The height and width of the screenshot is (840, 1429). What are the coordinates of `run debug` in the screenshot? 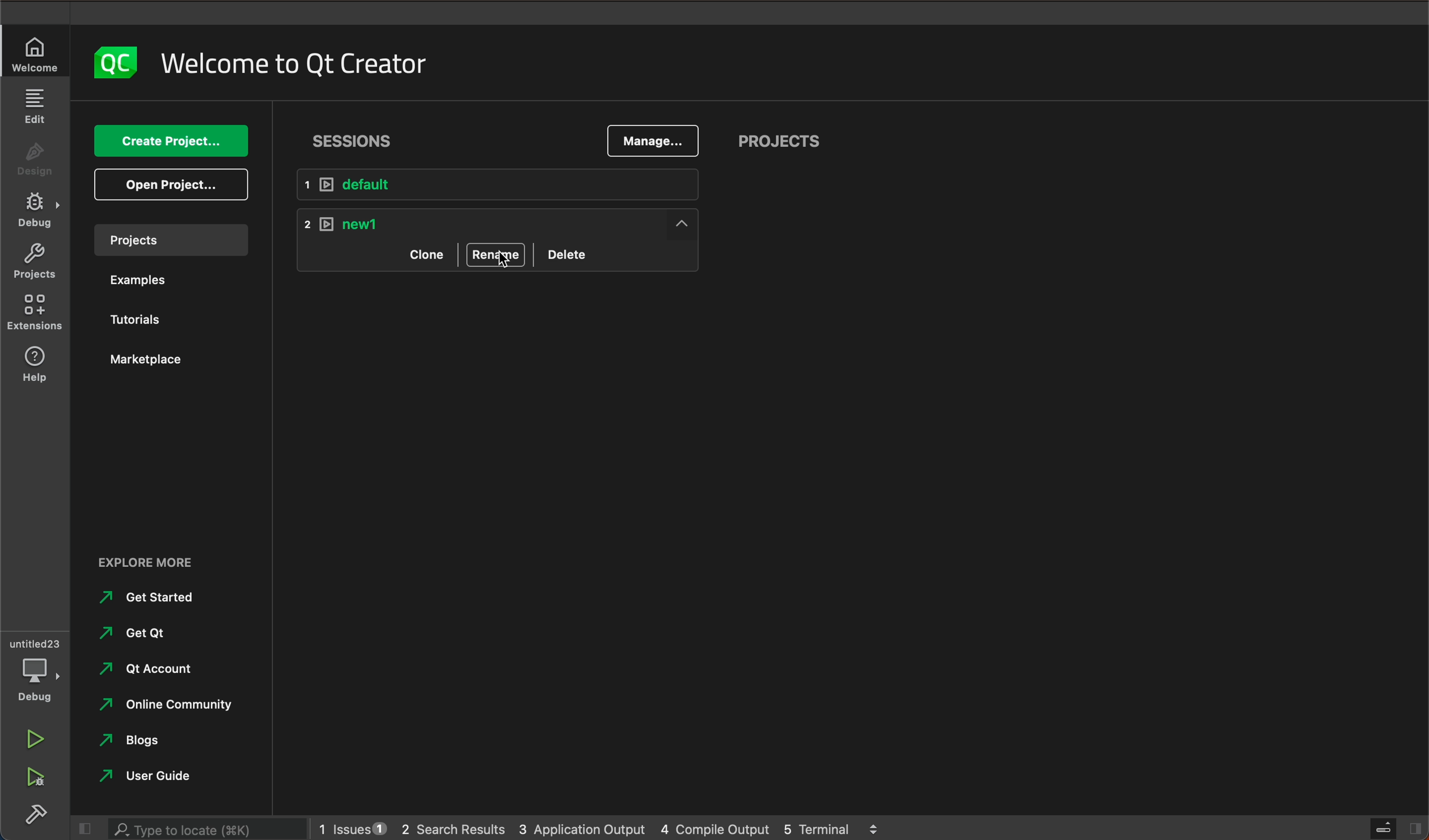 It's located at (32, 776).